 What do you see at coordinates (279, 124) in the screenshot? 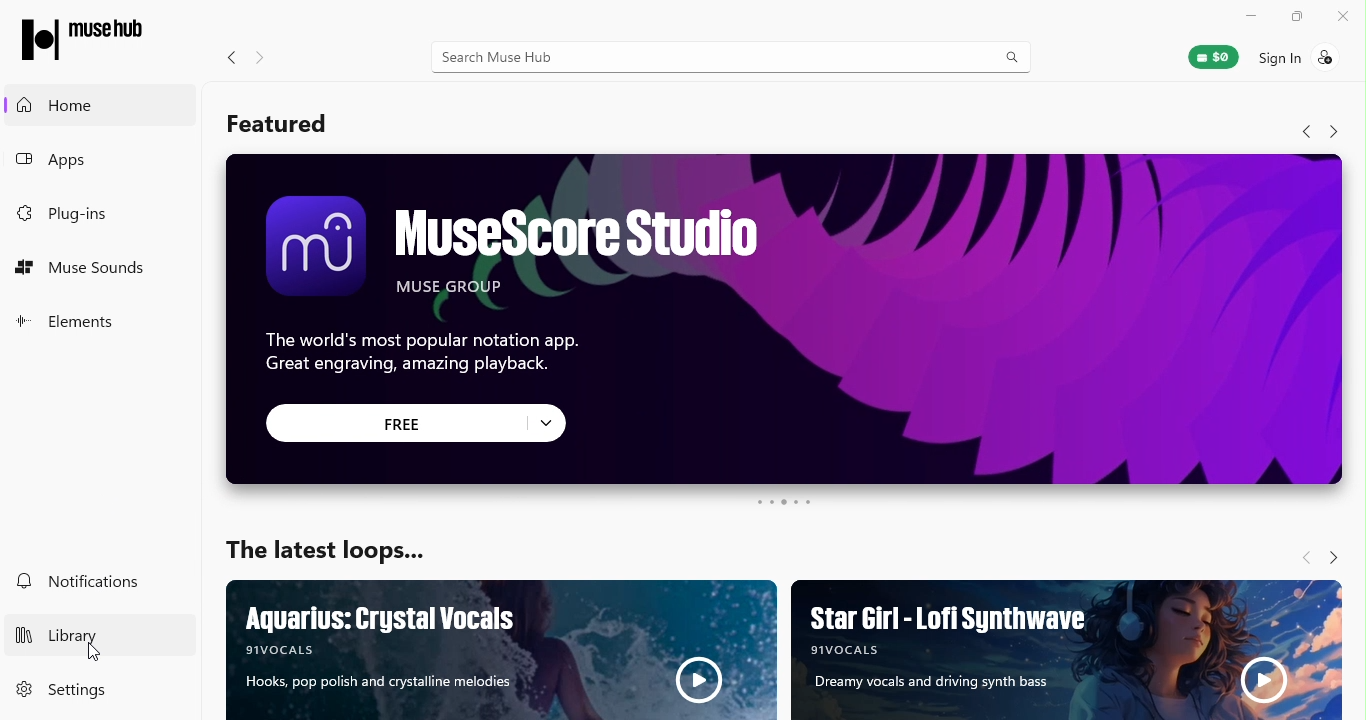
I see `Featured` at bounding box center [279, 124].